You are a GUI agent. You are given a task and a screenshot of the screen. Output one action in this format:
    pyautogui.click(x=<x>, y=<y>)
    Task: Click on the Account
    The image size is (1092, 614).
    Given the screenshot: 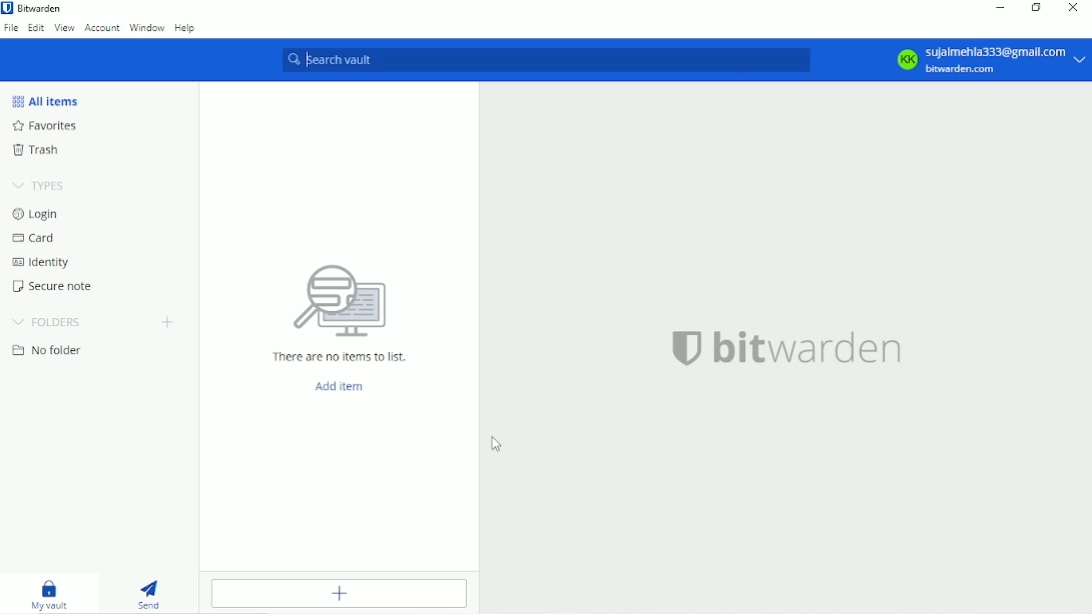 What is the action you would take?
    pyautogui.click(x=102, y=29)
    